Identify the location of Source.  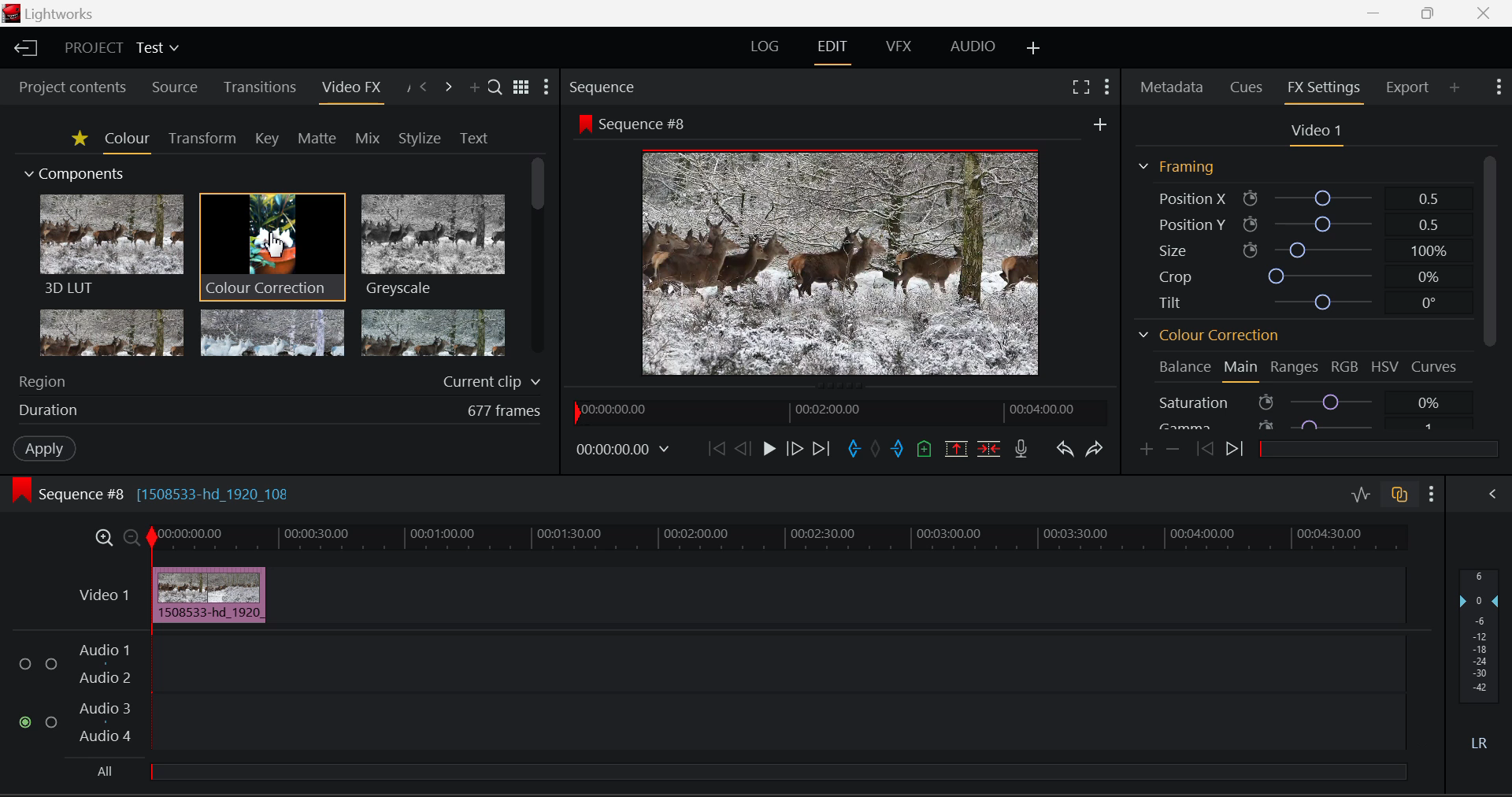
(176, 87).